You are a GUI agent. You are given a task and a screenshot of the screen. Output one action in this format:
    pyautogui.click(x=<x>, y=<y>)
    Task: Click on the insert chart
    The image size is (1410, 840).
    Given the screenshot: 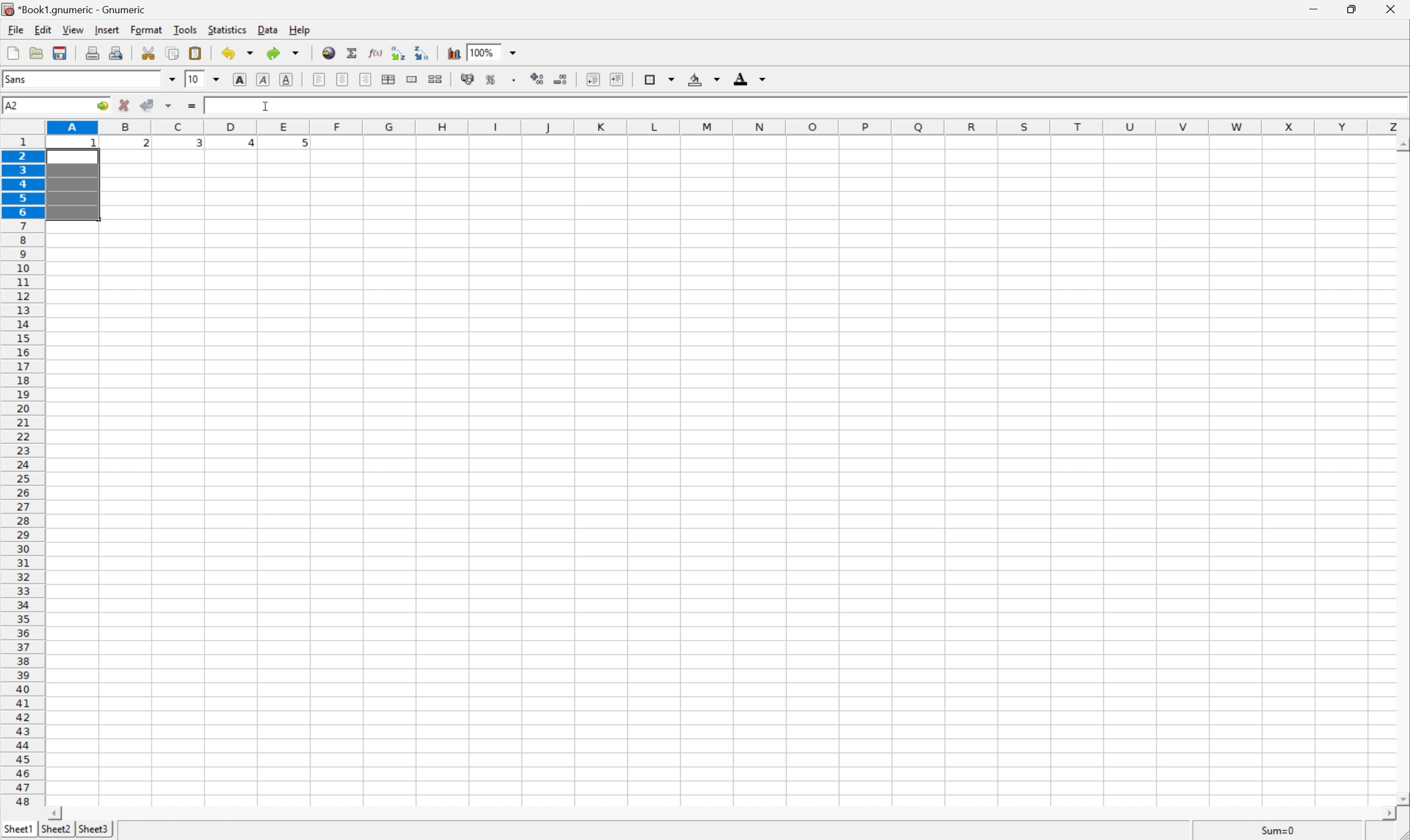 What is the action you would take?
    pyautogui.click(x=454, y=53)
    